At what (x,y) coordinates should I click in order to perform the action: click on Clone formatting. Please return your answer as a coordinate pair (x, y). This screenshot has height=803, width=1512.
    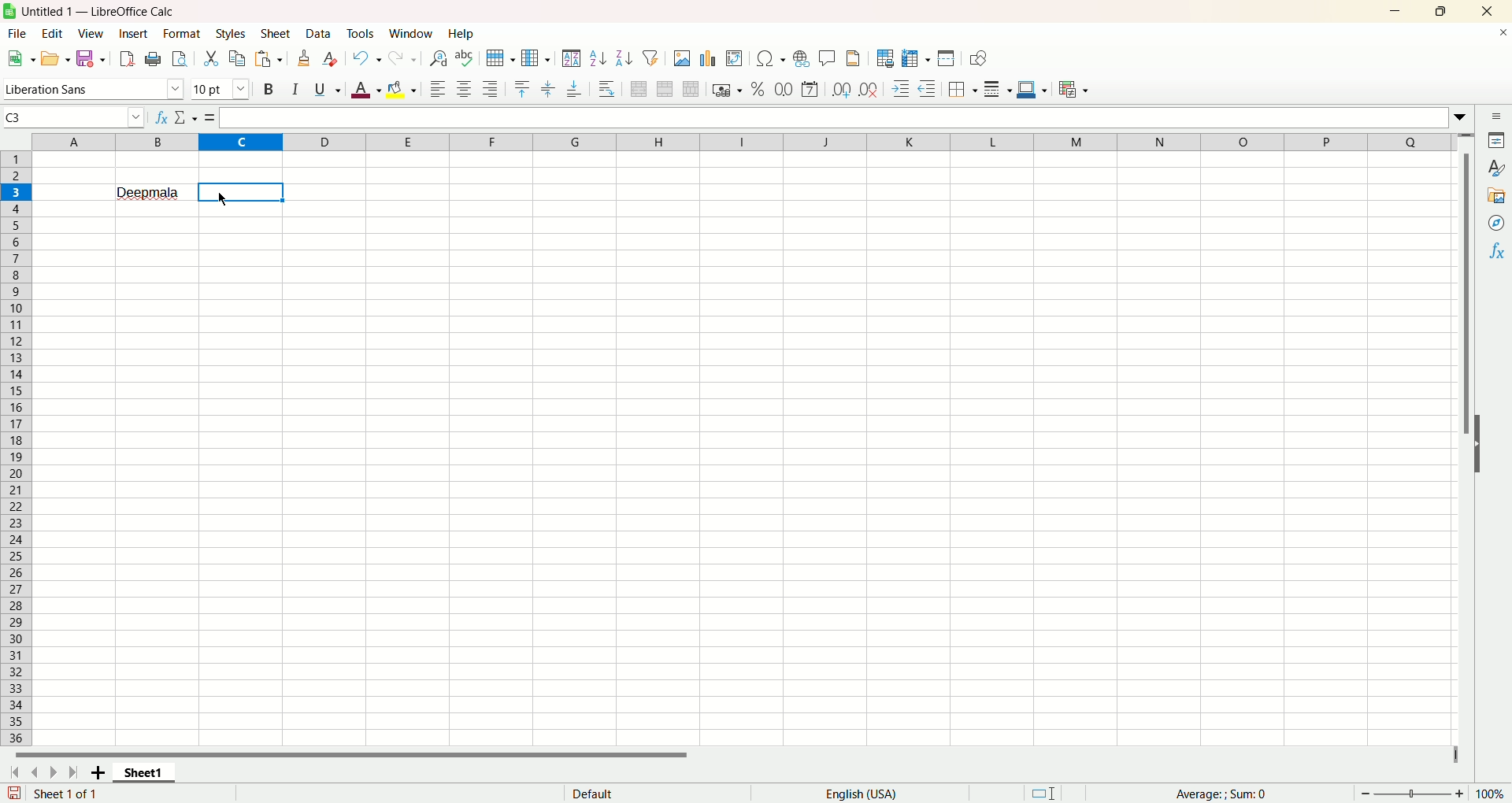
    Looking at the image, I should click on (304, 58).